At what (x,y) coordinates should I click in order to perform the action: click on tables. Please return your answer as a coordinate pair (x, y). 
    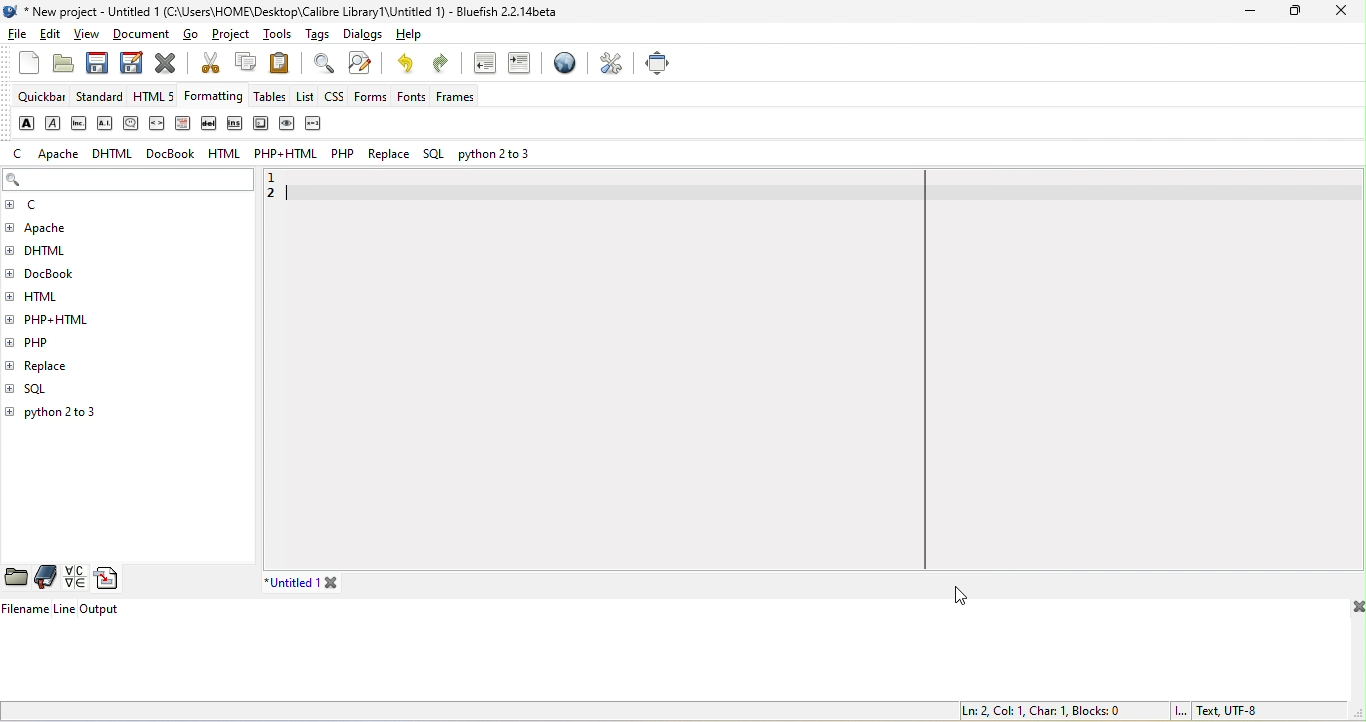
    Looking at the image, I should click on (272, 99).